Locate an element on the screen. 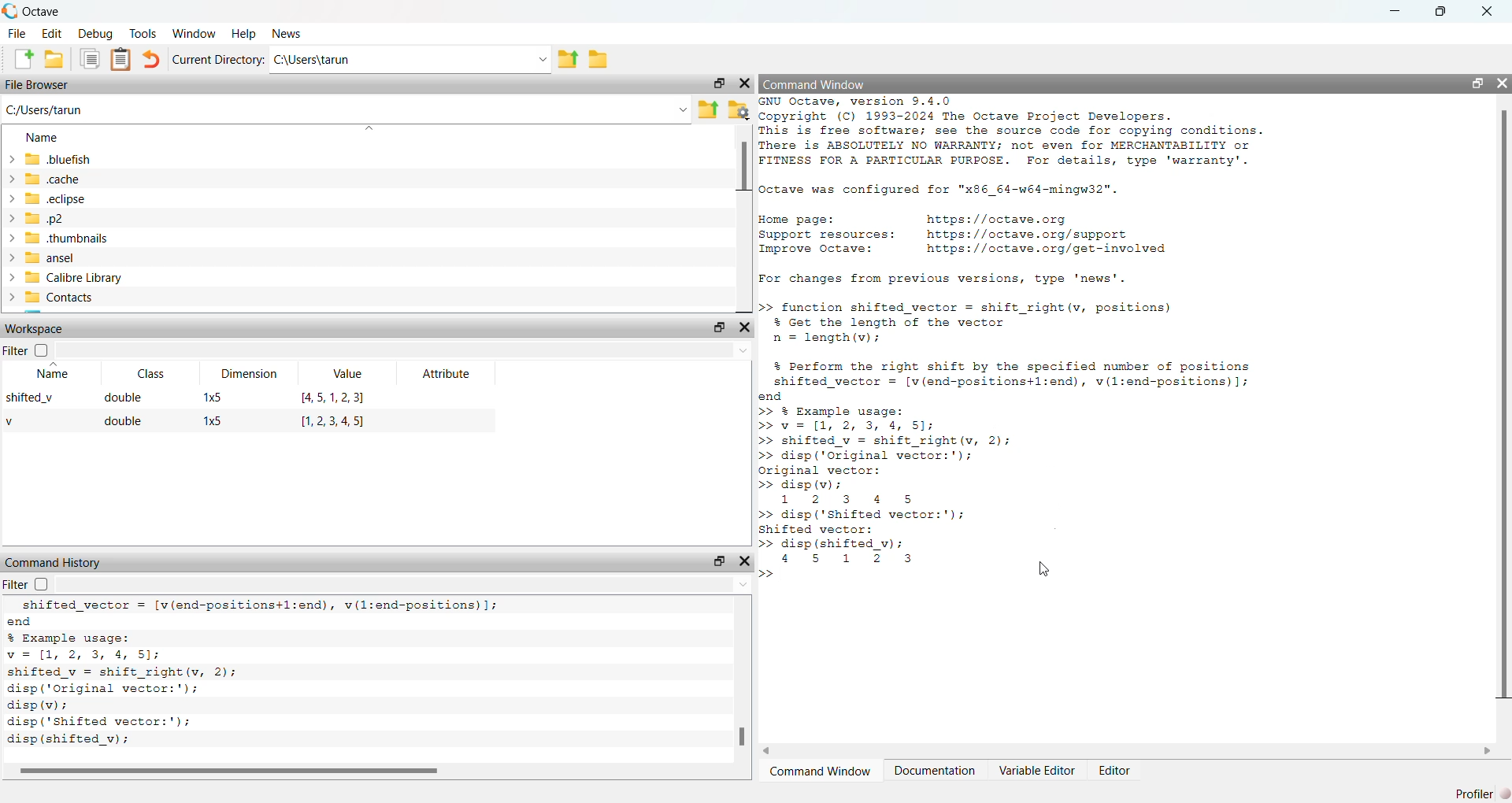  | For changes from previous versions, type 'news'. is located at coordinates (939, 280).